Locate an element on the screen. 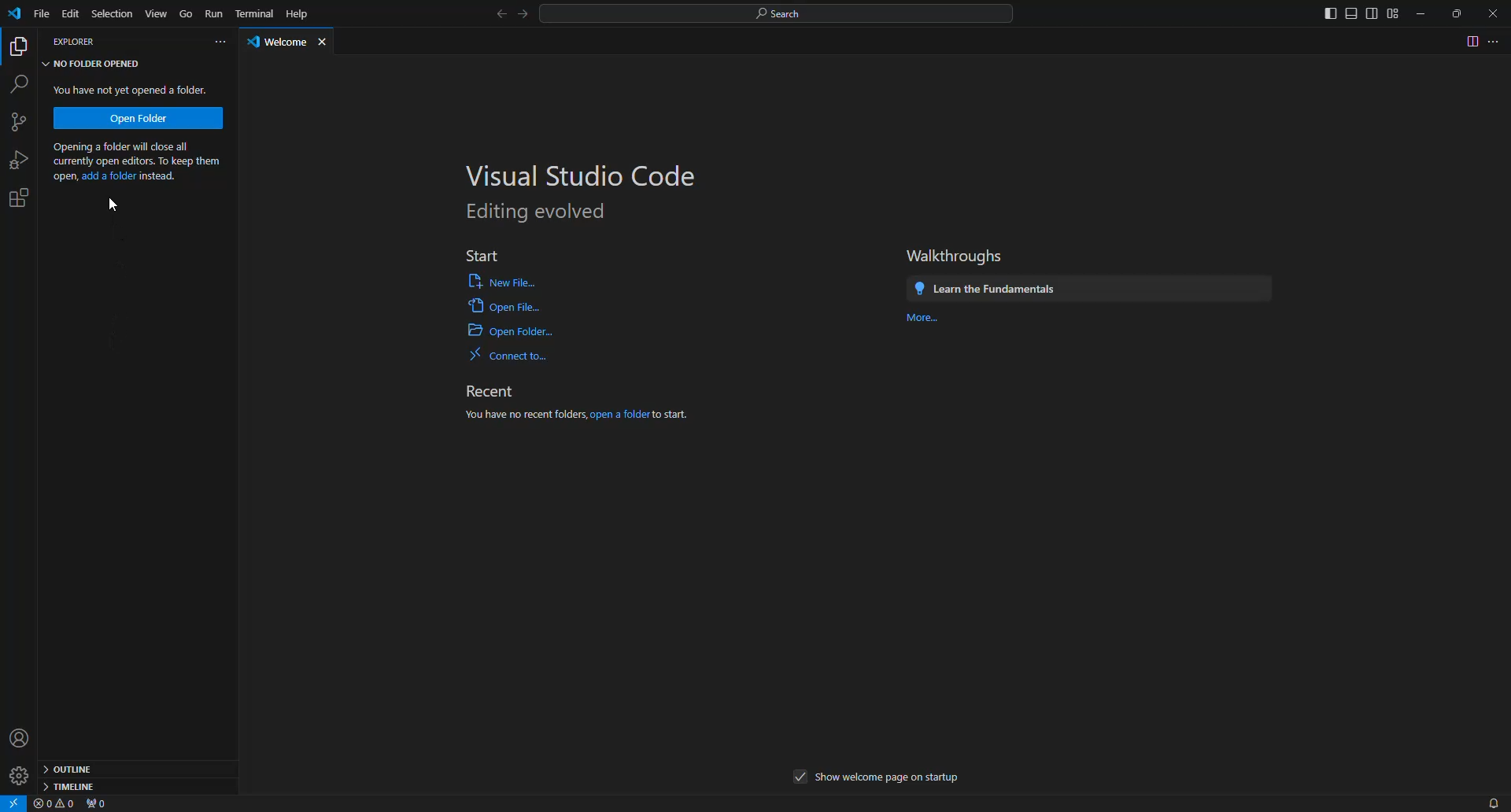  terminal is located at coordinates (255, 14).